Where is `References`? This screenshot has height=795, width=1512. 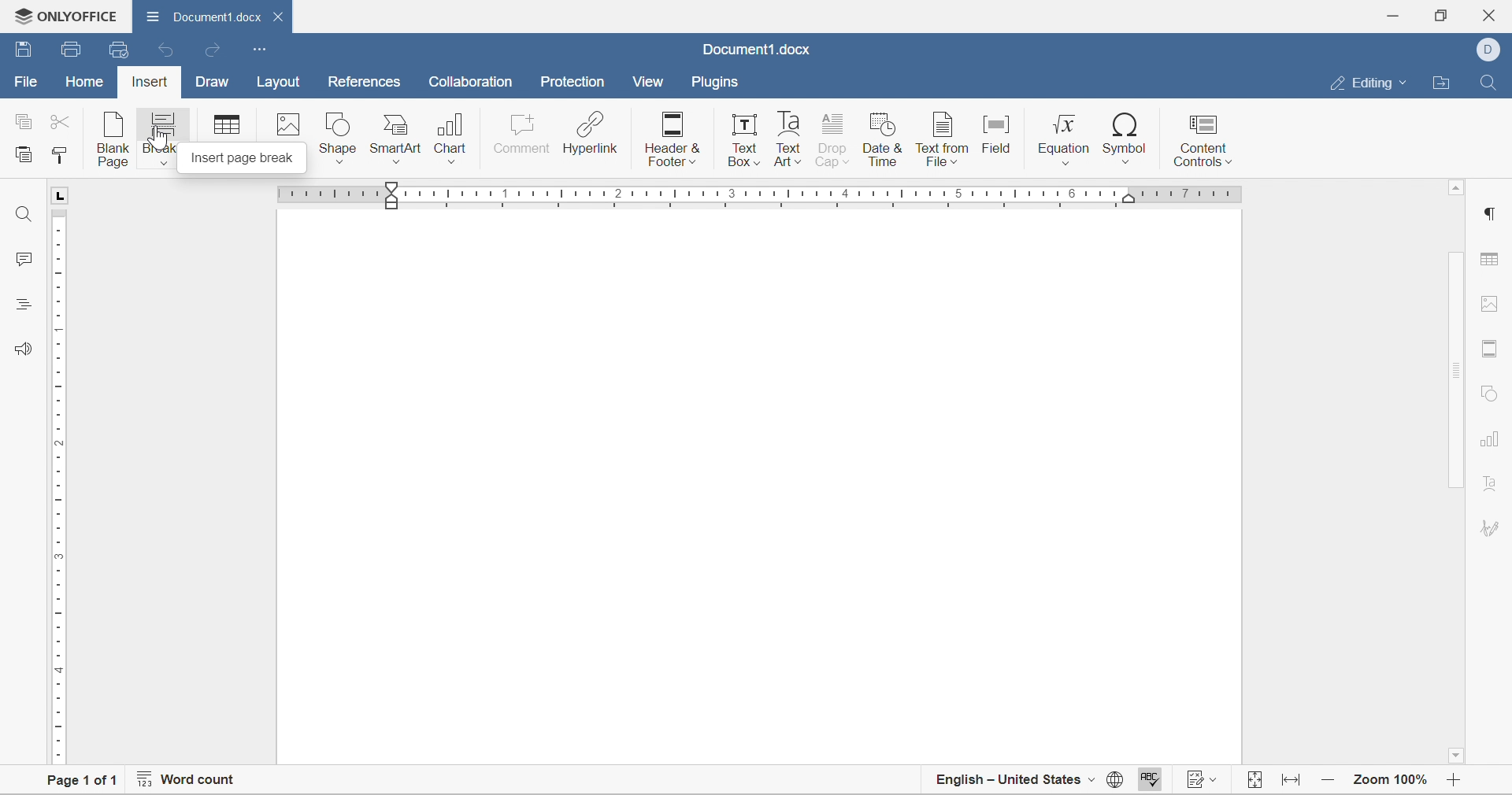 References is located at coordinates (361, 83).